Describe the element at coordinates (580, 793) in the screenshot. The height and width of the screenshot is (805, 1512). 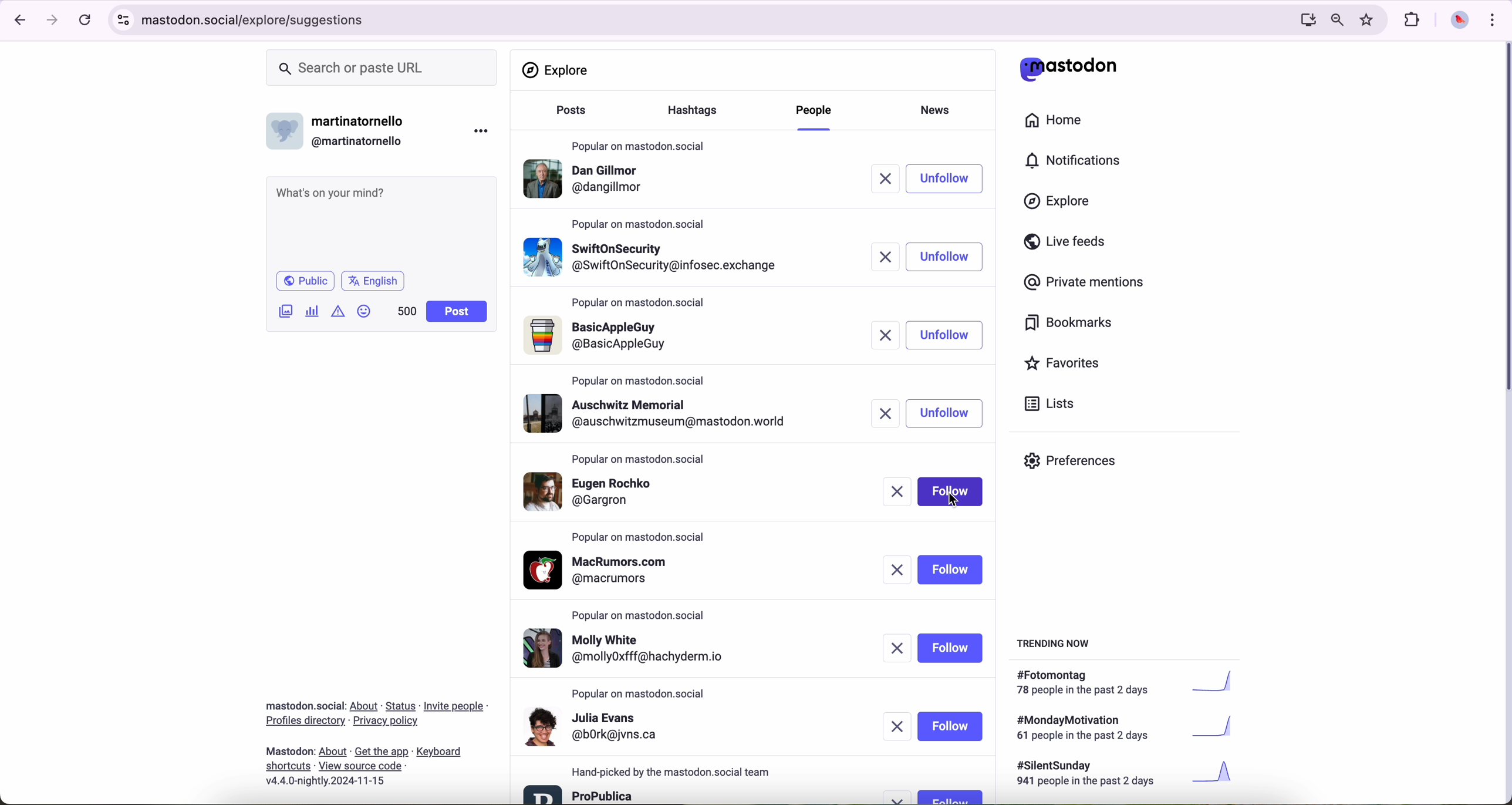
I see `profile` at that location.